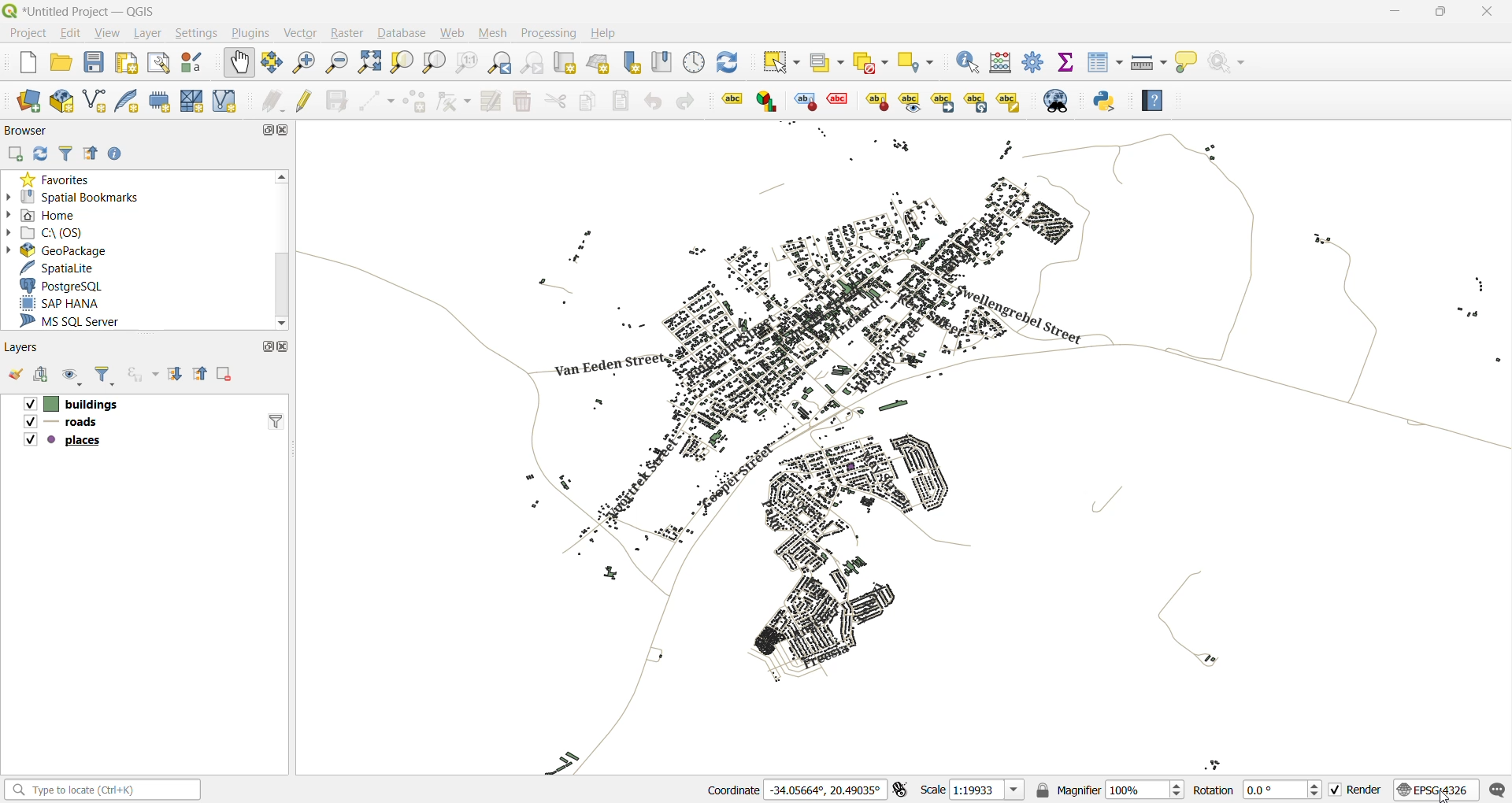  I want to click on buildings, so click(70, 404).